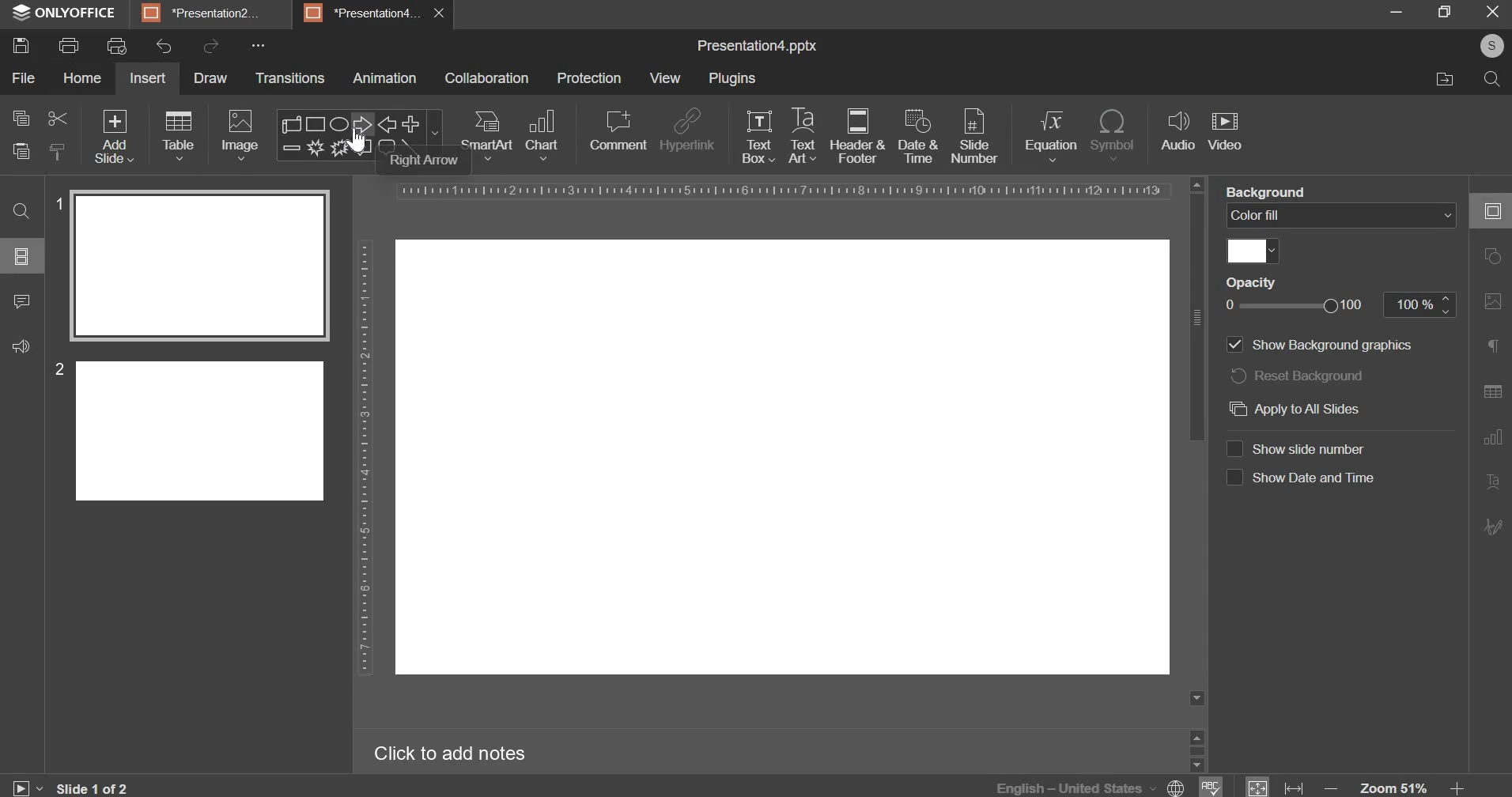 This screenshot has height=797, width=1512. What do you see at coordinates (1335, 345) in the screenshot?
I see `` at bounding box center [1335, 345].